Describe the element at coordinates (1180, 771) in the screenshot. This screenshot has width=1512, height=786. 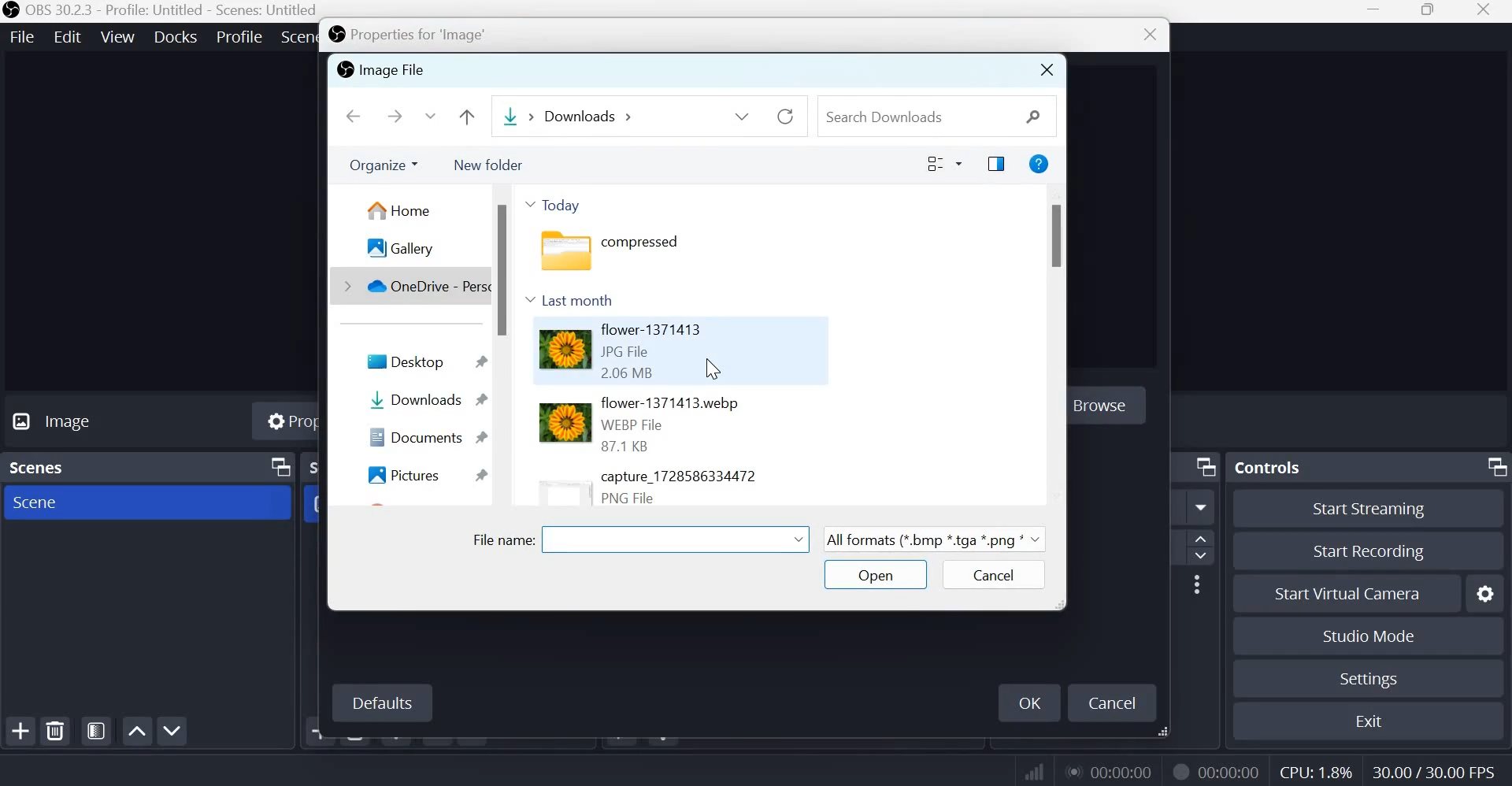
I see `Recording Status Icon` at that location.